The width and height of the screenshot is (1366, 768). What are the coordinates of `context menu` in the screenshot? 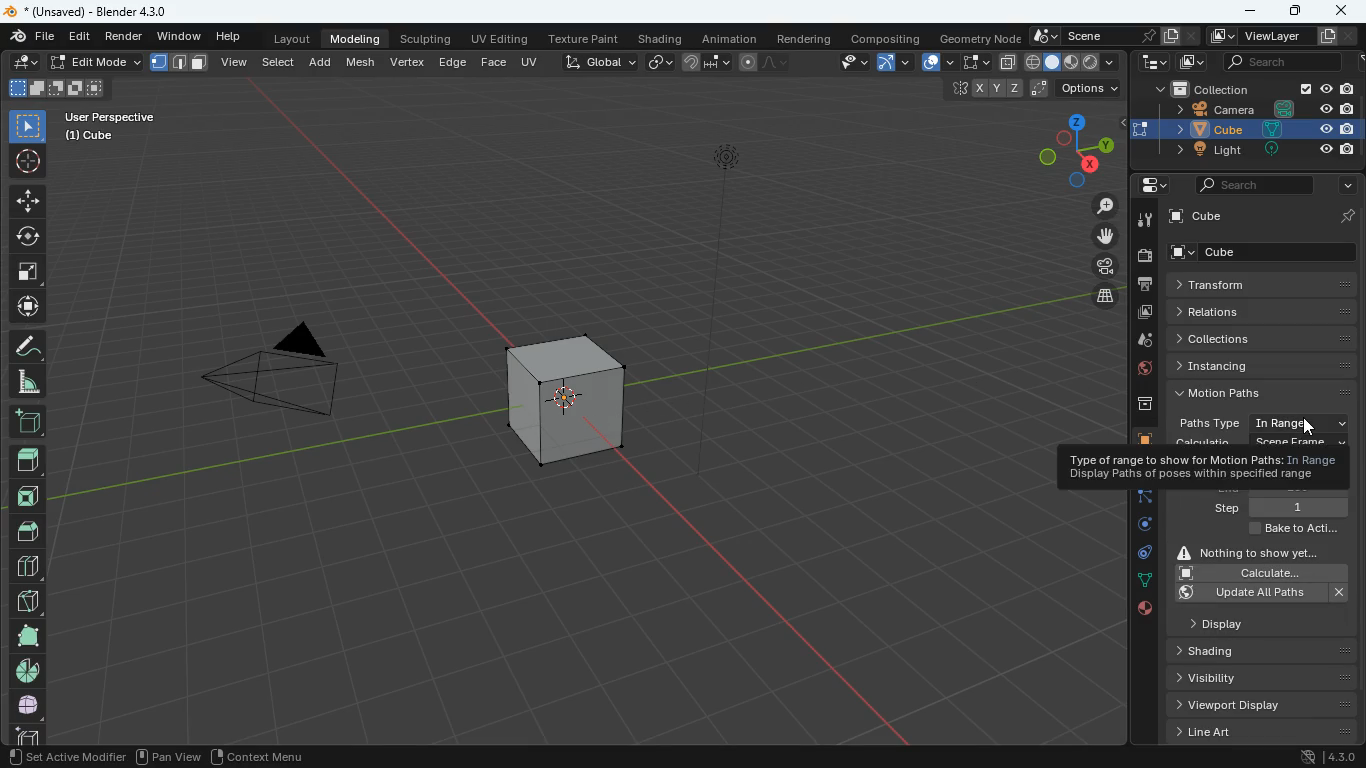 It's located at (259, 756).